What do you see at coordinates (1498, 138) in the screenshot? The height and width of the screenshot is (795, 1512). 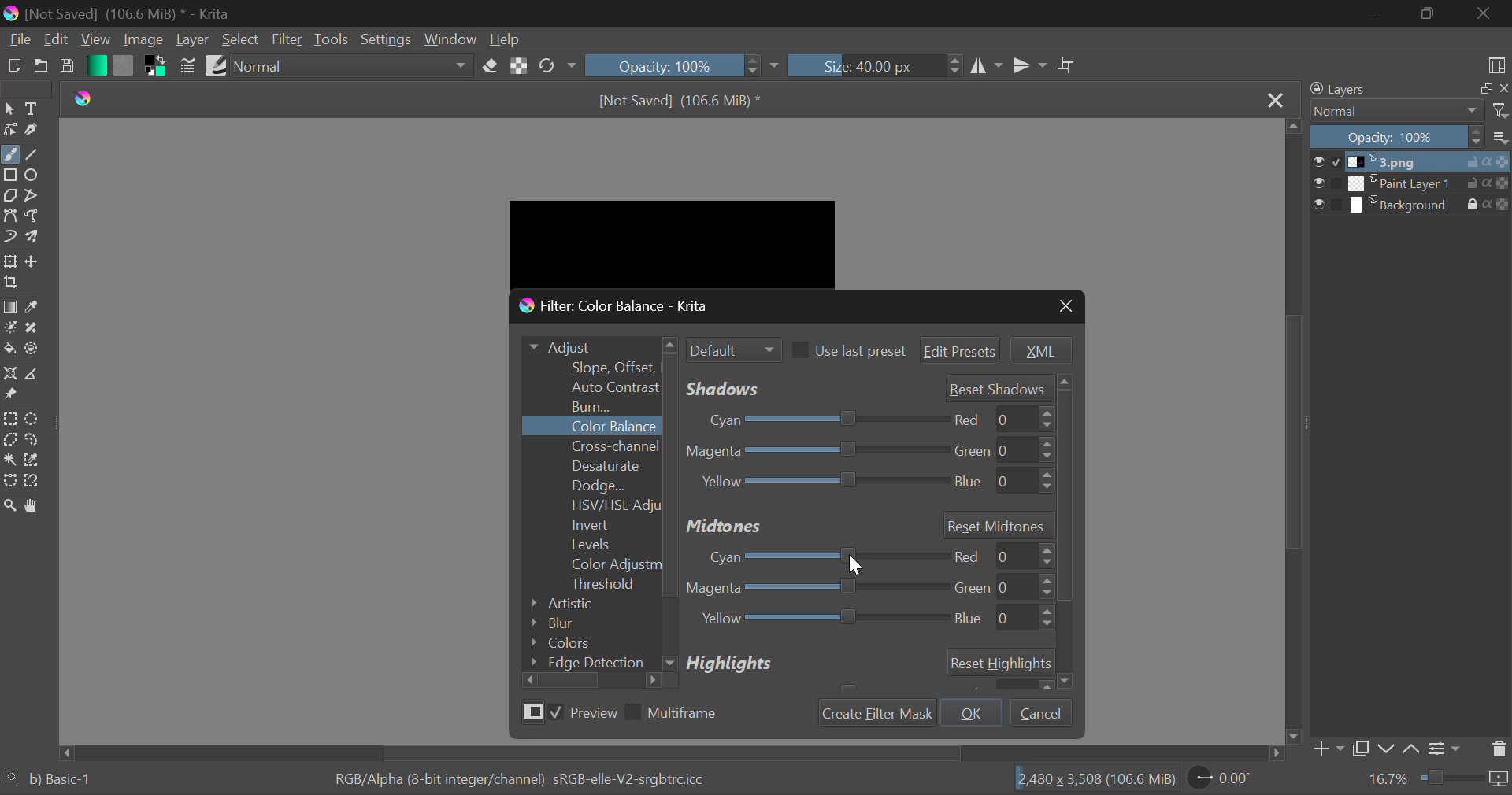 I see `options` at bounding box center [1498, 138].